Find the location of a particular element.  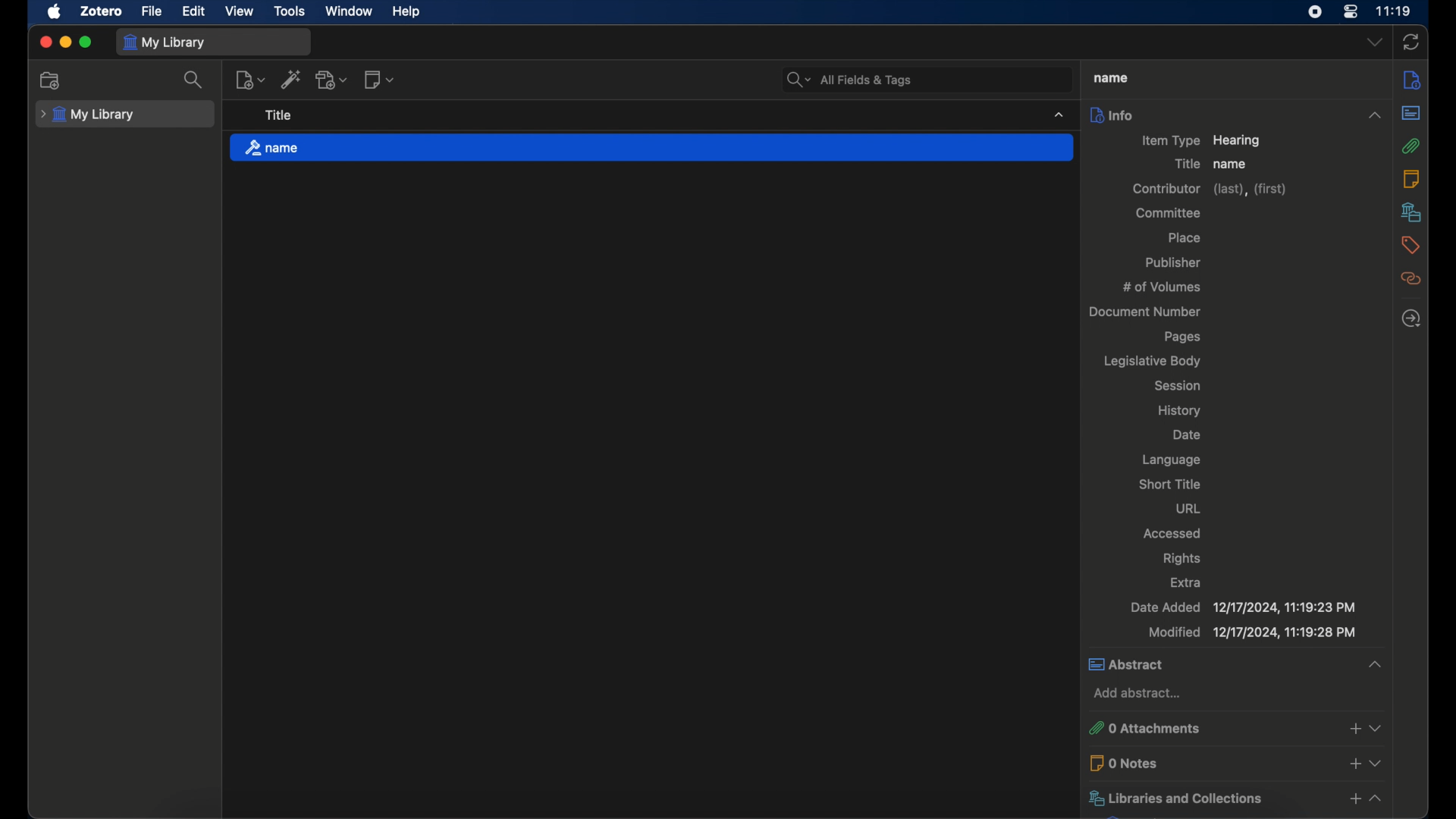

add abstract is located at coordinates (1138, 694).